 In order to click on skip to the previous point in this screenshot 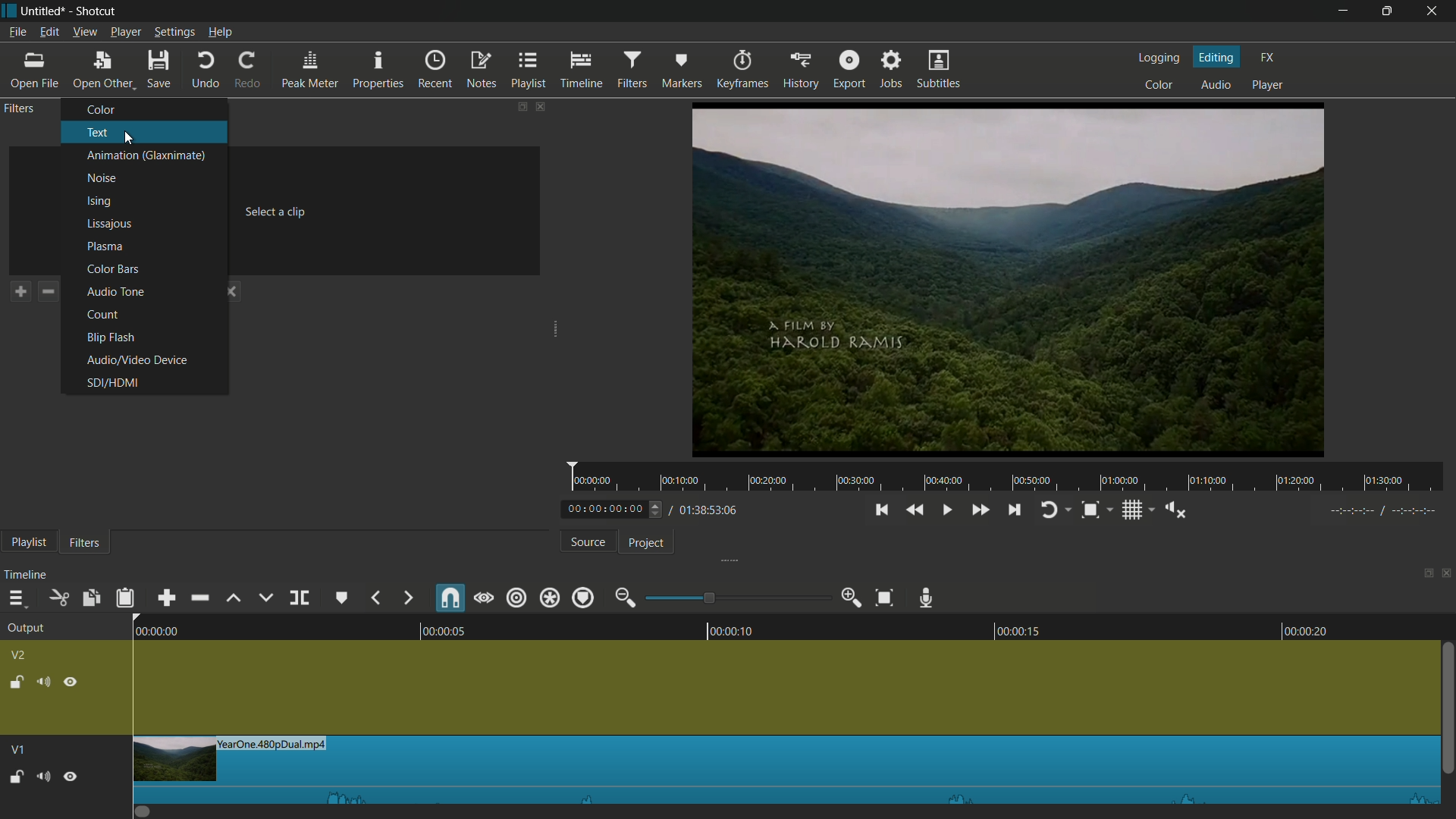, I will do `click(884, 508)`.